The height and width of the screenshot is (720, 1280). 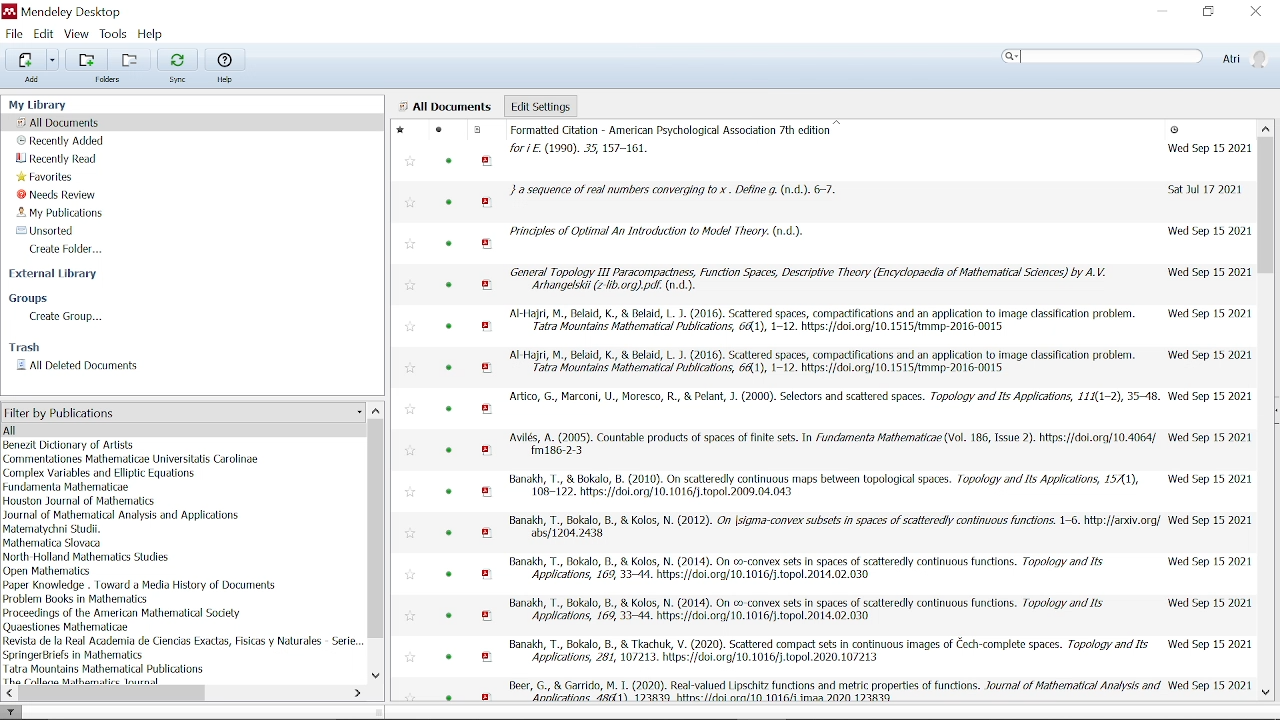 What do you see at coordinates (678, 140) in the screenshot?
I see `citation` at bounding box center [678, 140].